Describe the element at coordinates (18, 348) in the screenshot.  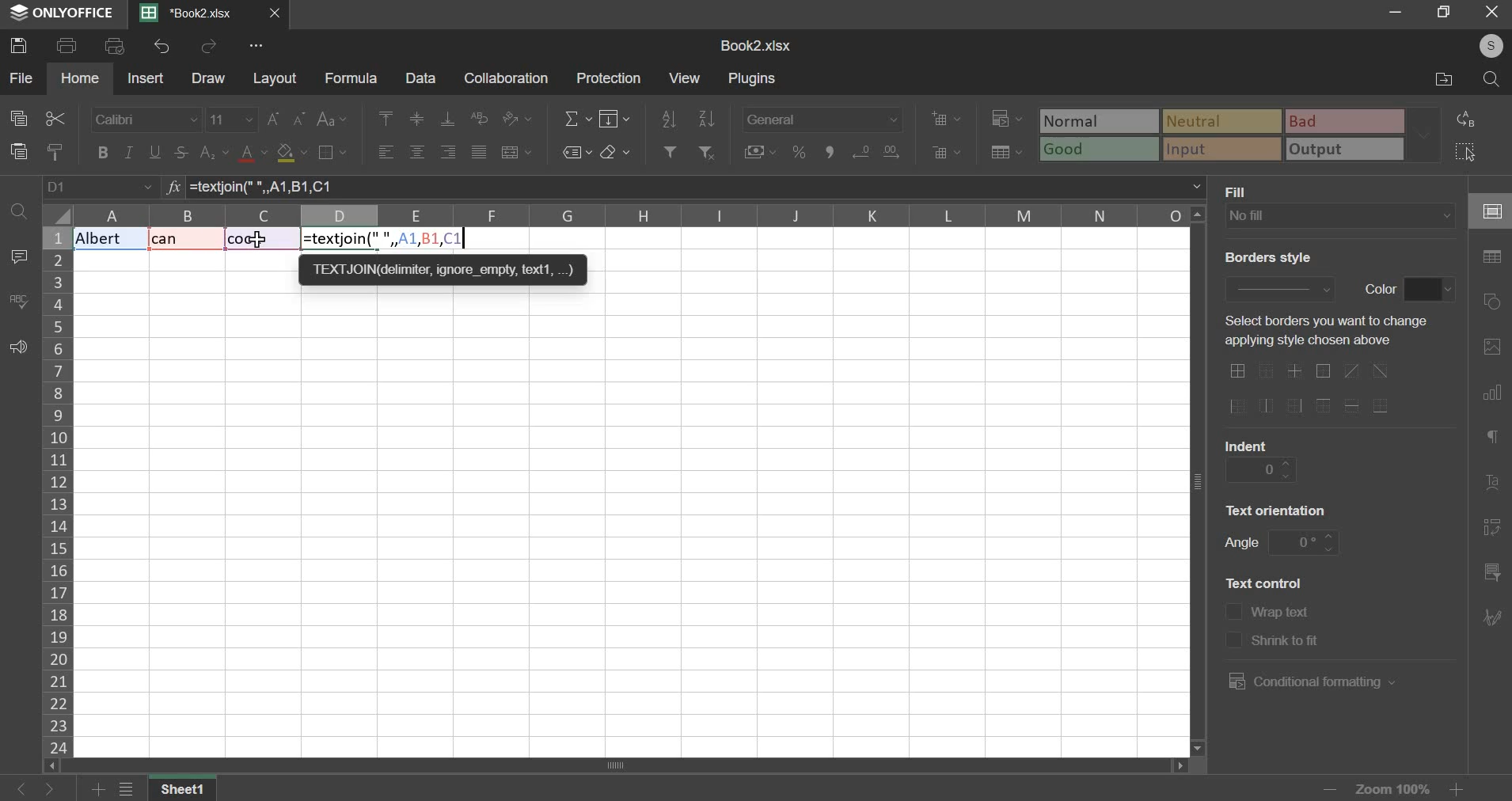
I see `feedback` at that location.